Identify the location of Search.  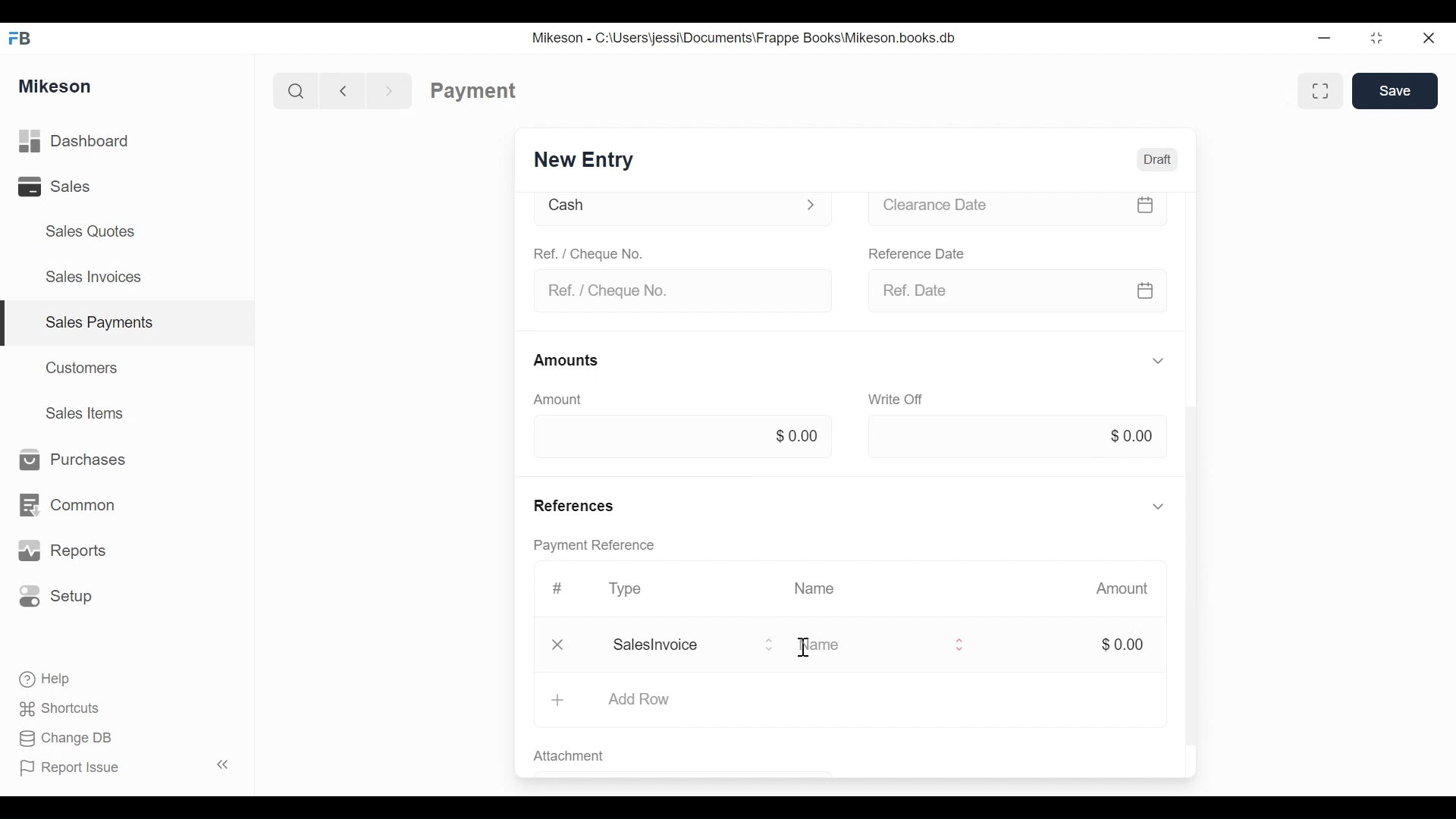
(291, 89).